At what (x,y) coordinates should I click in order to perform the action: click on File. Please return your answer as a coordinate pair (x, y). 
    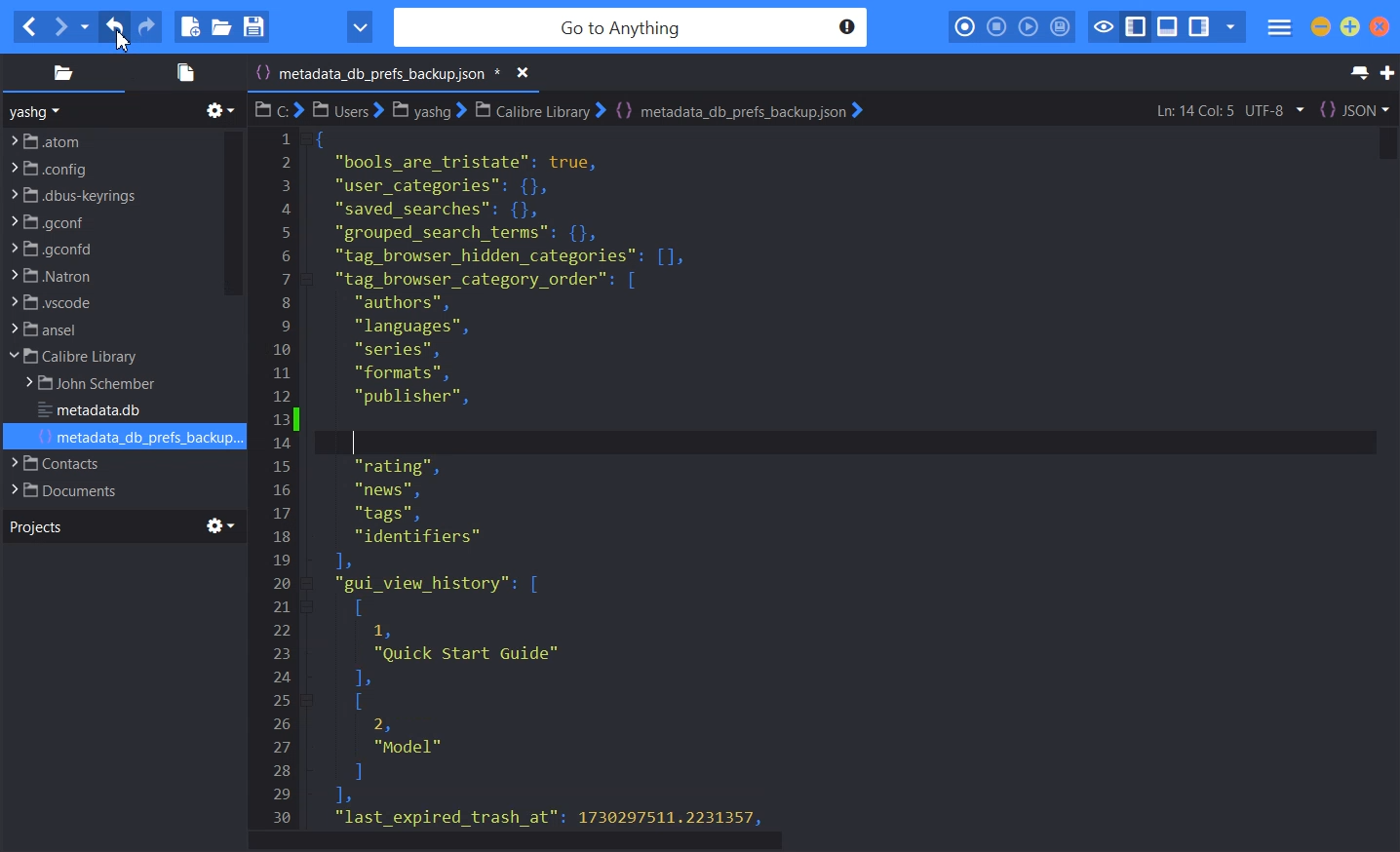
    Looking at the image, I should click on (106, 489).